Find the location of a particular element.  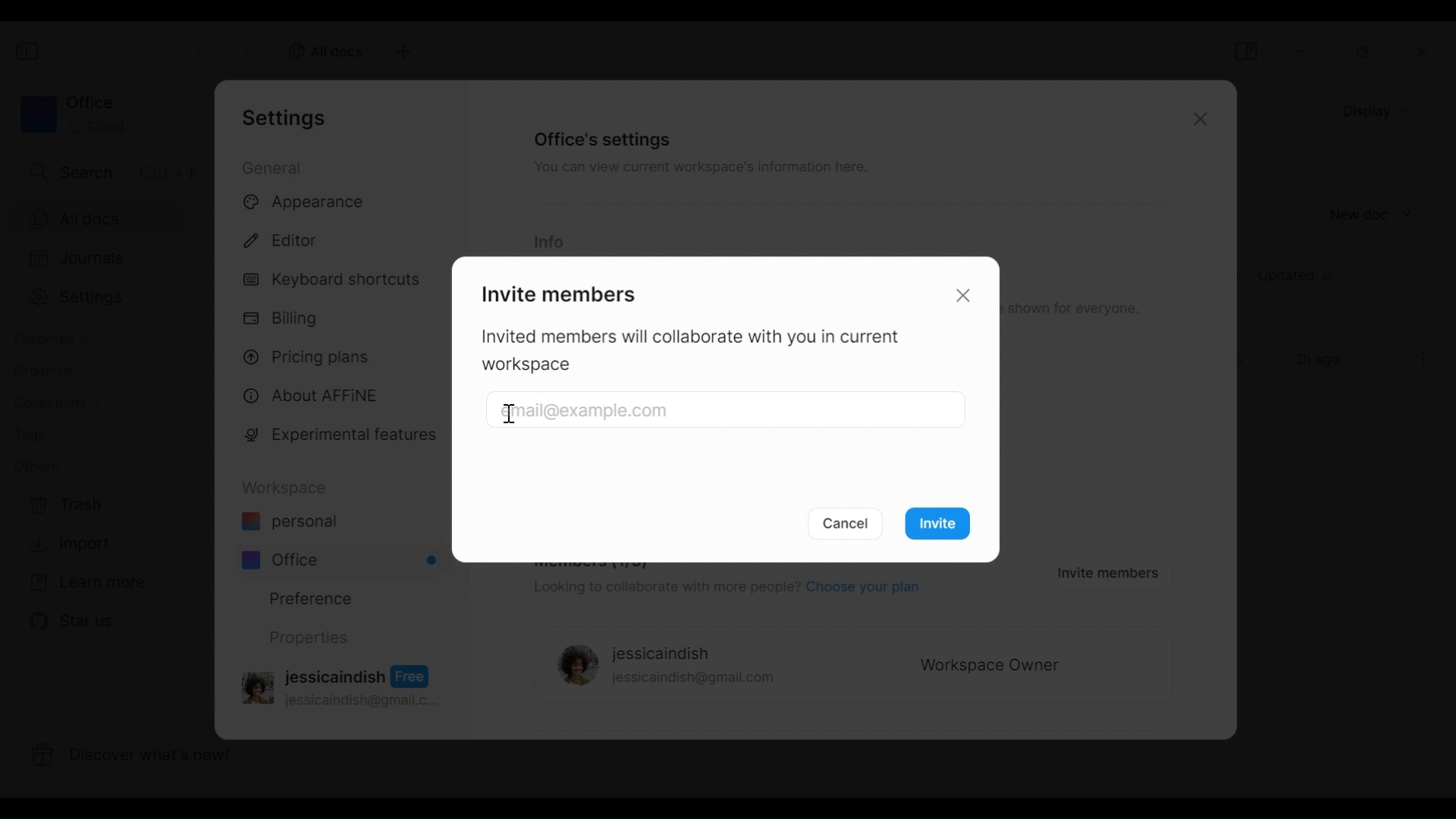

Office's settings is located at coordinates (604, 139).